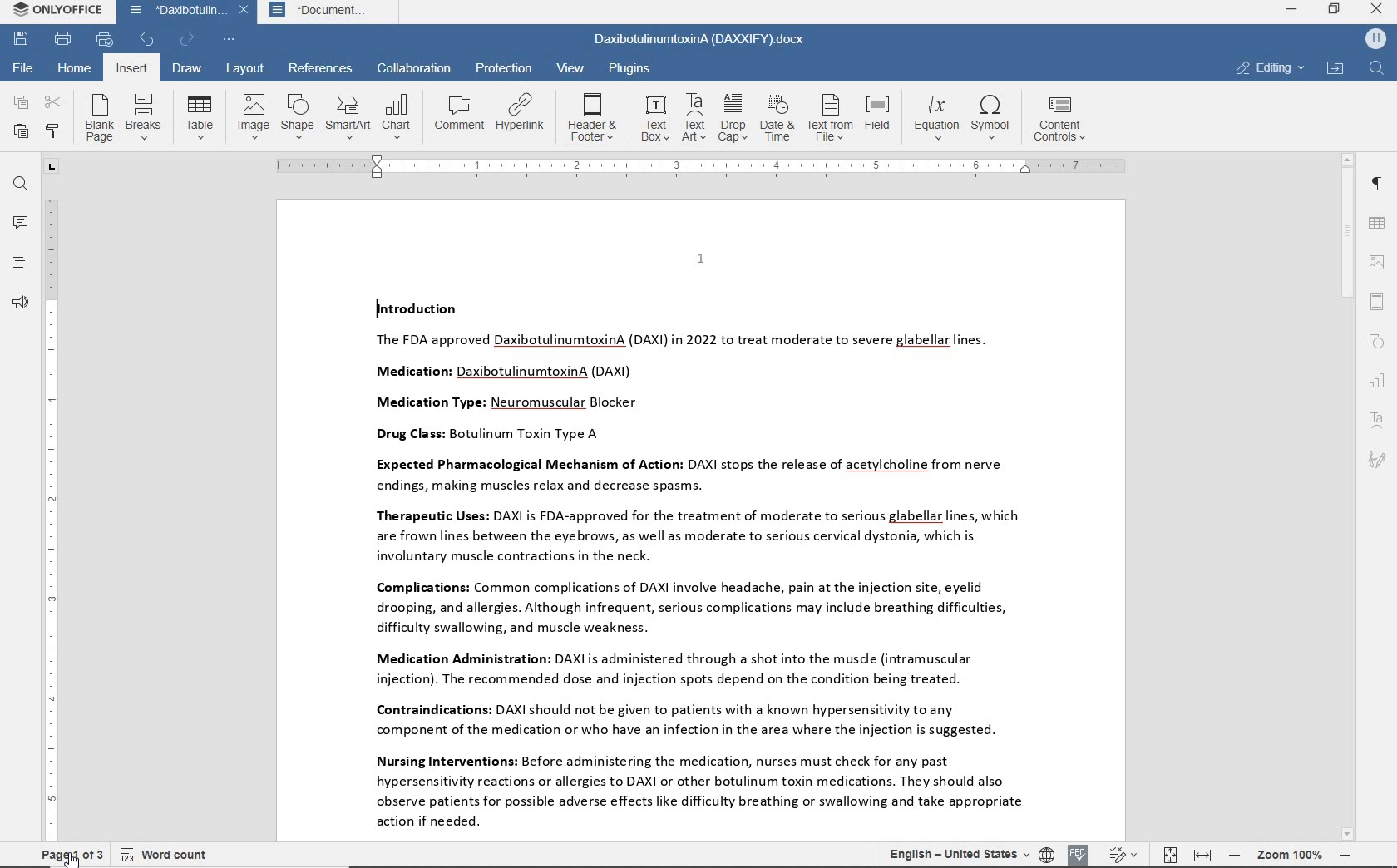  I want to click on drop cap, so click(733, 116).